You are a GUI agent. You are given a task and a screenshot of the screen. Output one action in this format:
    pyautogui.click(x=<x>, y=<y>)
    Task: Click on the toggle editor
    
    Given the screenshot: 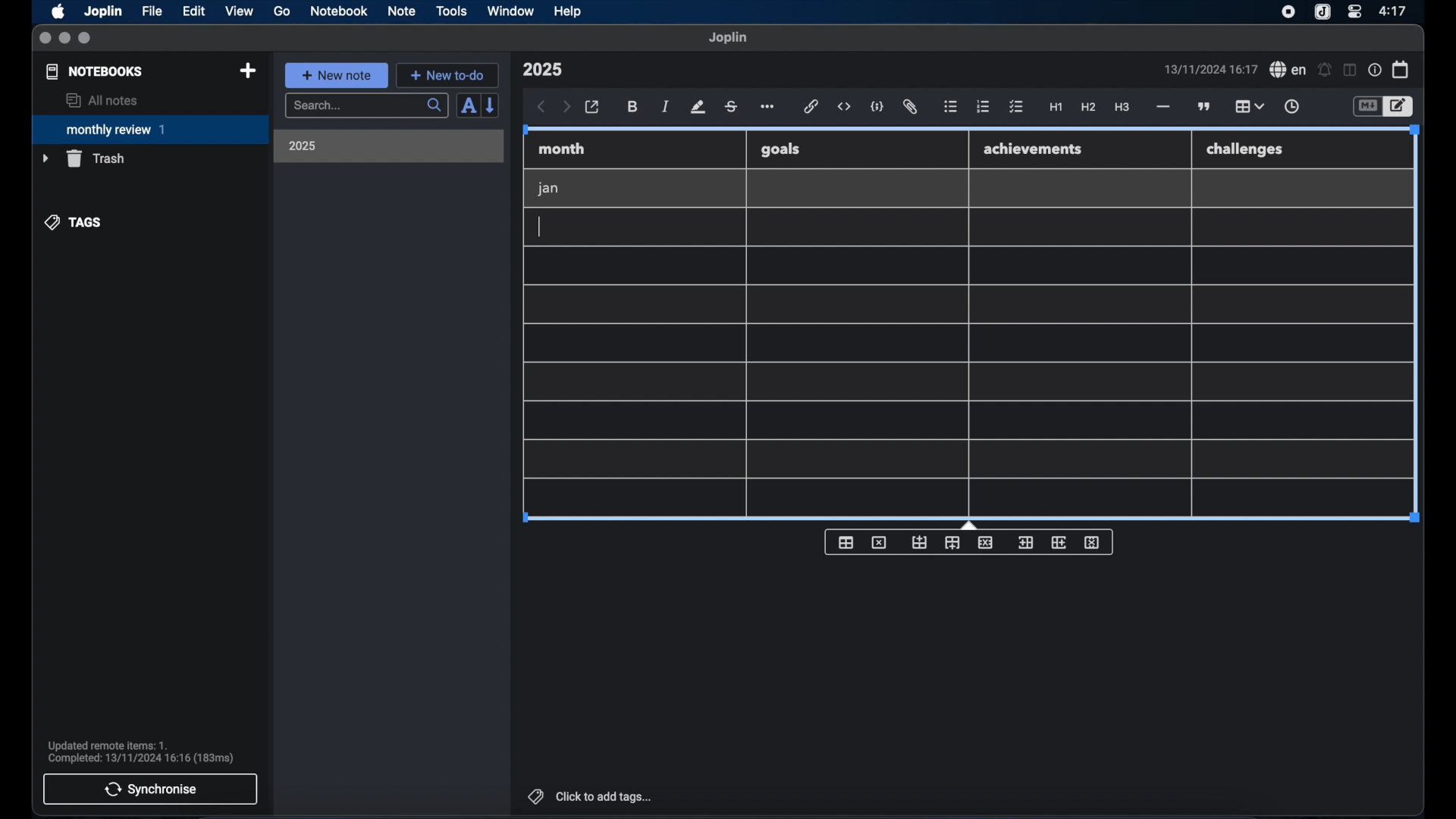 What is the action you would take?
    pyautogui.click(x=1401, y=107)
    